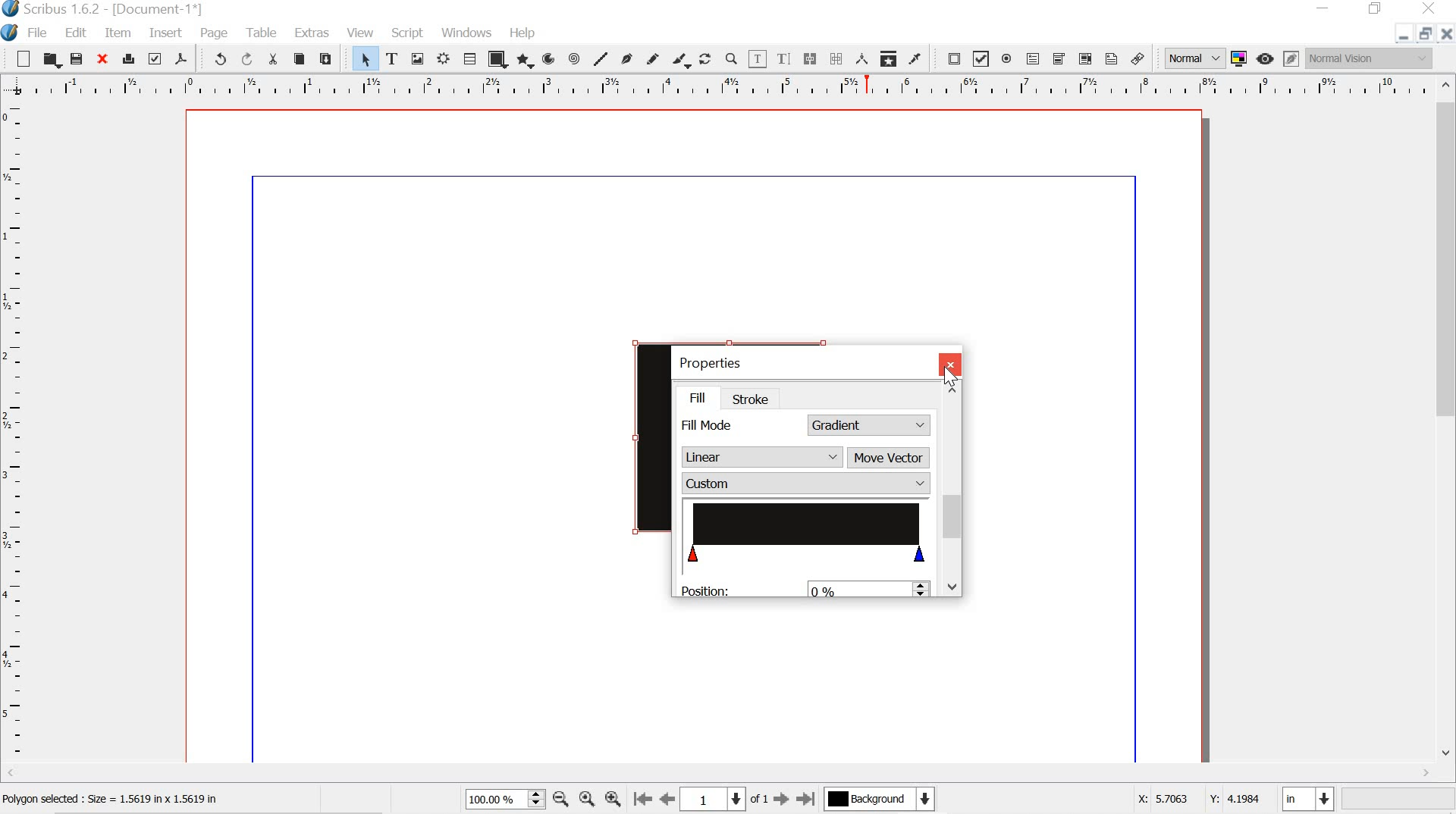 This screenshot has width=1456, height=814. Describe the element at coordinates (408, 31) in the screenshot. I see `script` at that location.